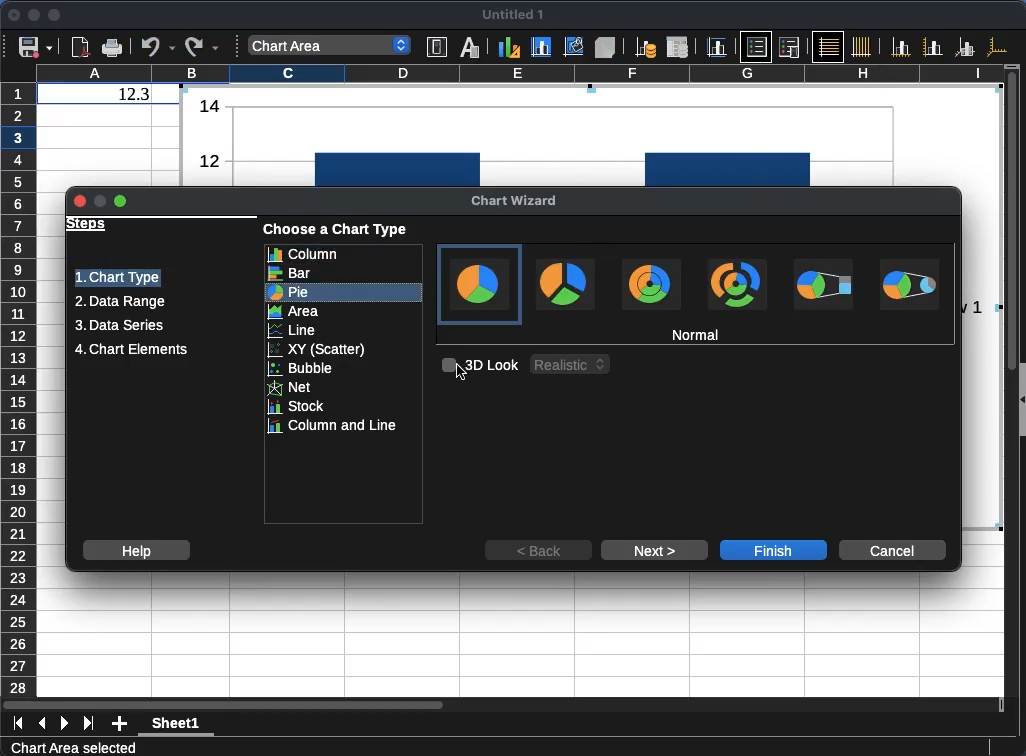 The width and height of the screenshot is (1026, 756). I want to click on line, so click(344, 331).